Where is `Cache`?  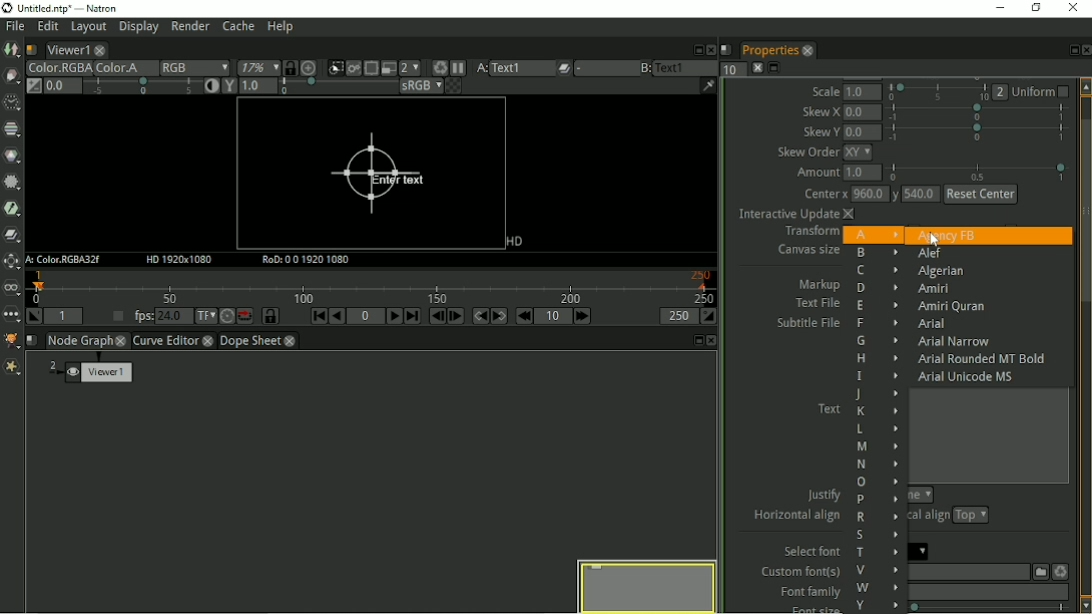 Cache is located at coordinates (238, 27).